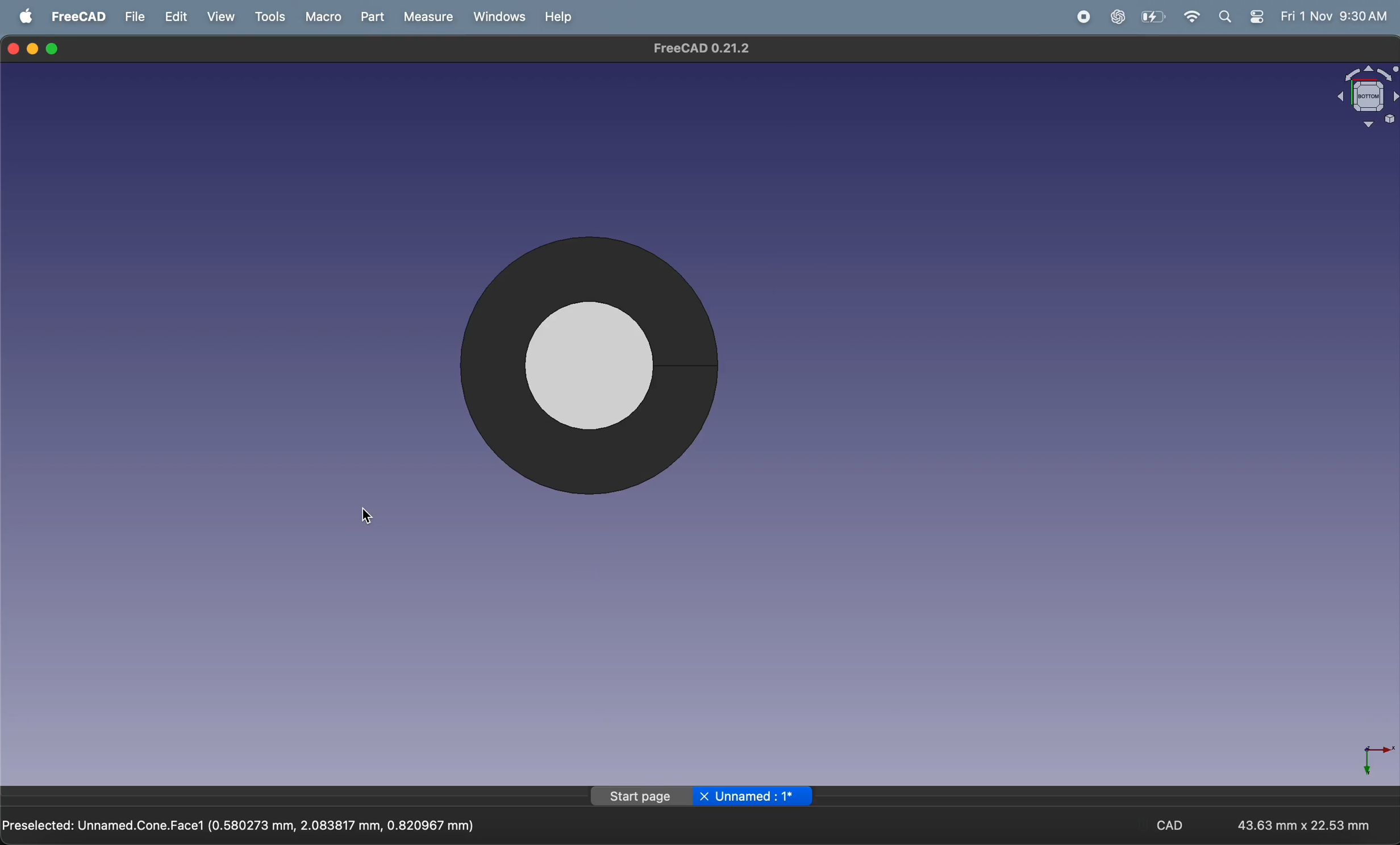  I want to click on top view, so click(609, 367).